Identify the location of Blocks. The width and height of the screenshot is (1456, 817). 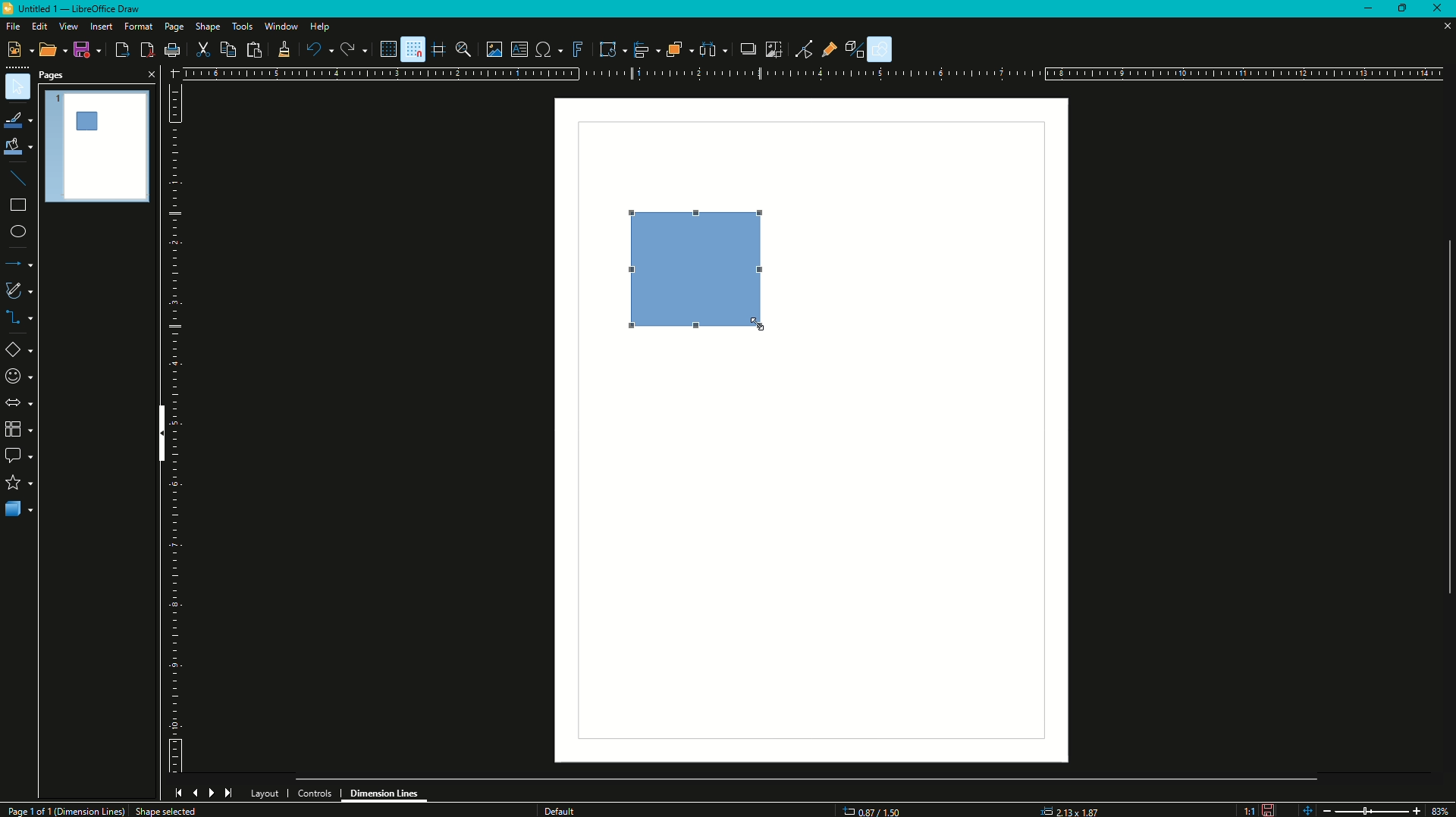
(17, 429).